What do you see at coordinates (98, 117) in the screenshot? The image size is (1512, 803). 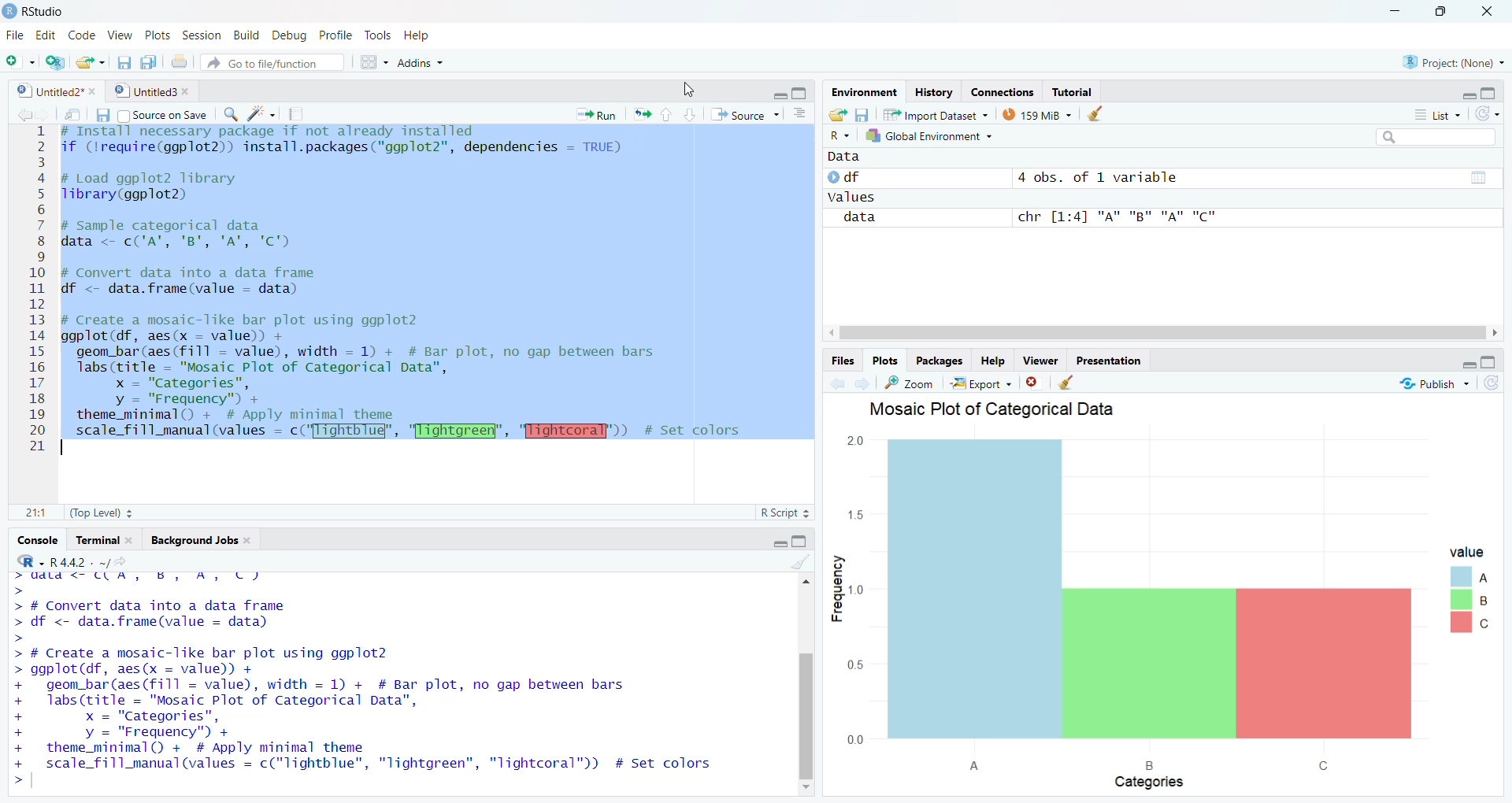 I see `Save` at bounding box center [98, 117].